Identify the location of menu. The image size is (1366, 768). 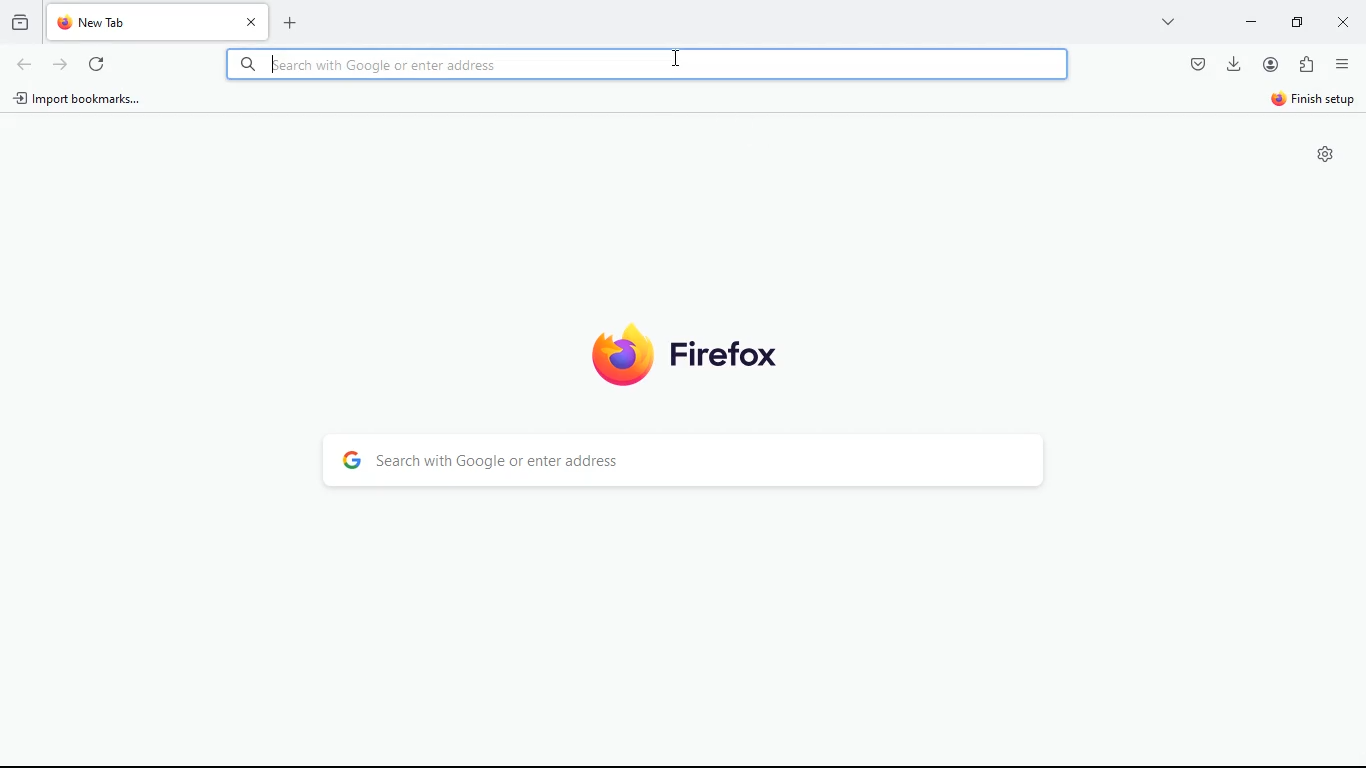
(1342, 64).